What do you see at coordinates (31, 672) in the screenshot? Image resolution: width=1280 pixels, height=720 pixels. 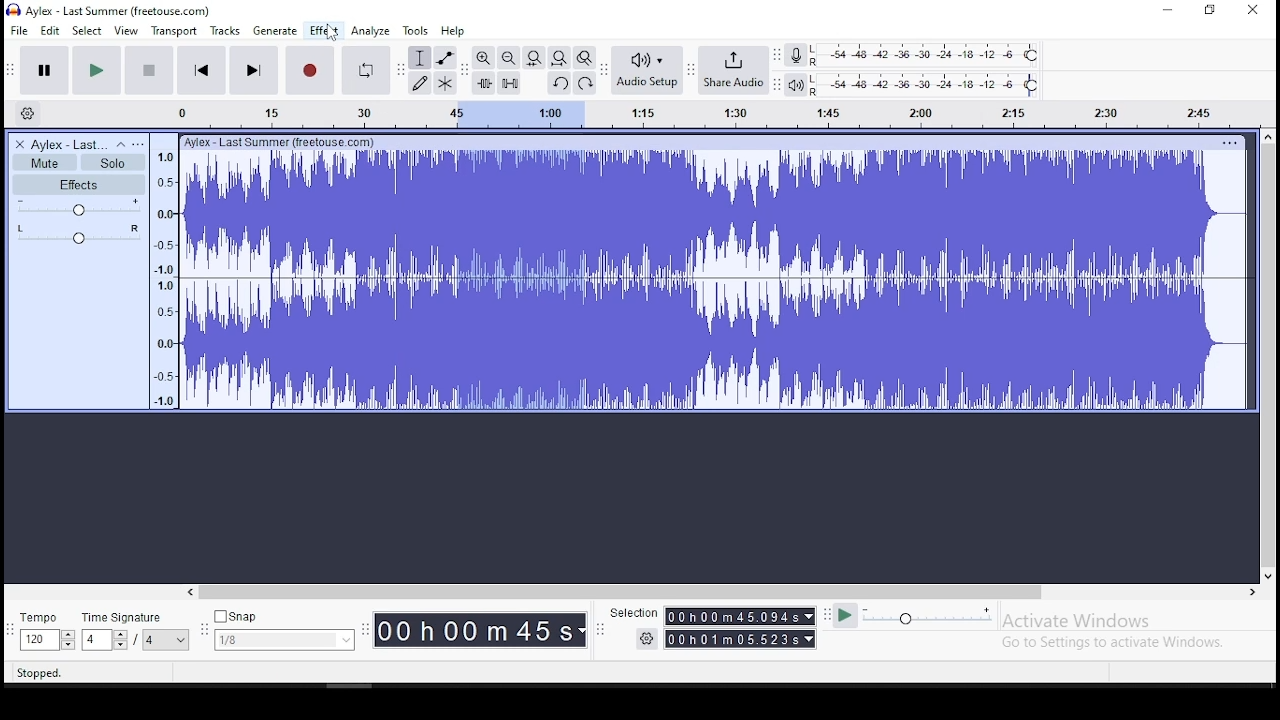 I see `| Stopped.` at bounding box center [31, 672].